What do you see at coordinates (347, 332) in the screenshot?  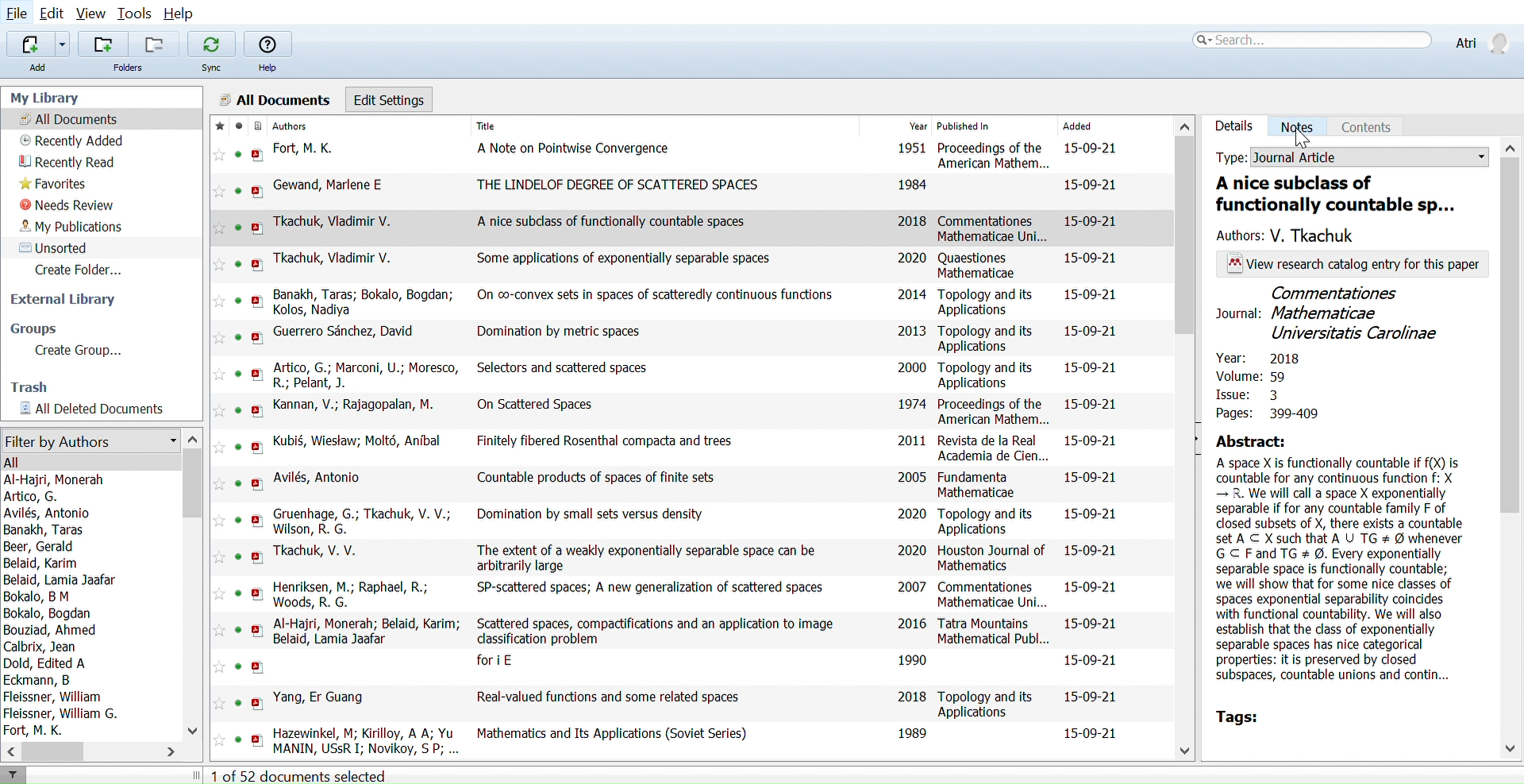 I see `Guerrero Sanchez, David` at bounding box center [347, 332].